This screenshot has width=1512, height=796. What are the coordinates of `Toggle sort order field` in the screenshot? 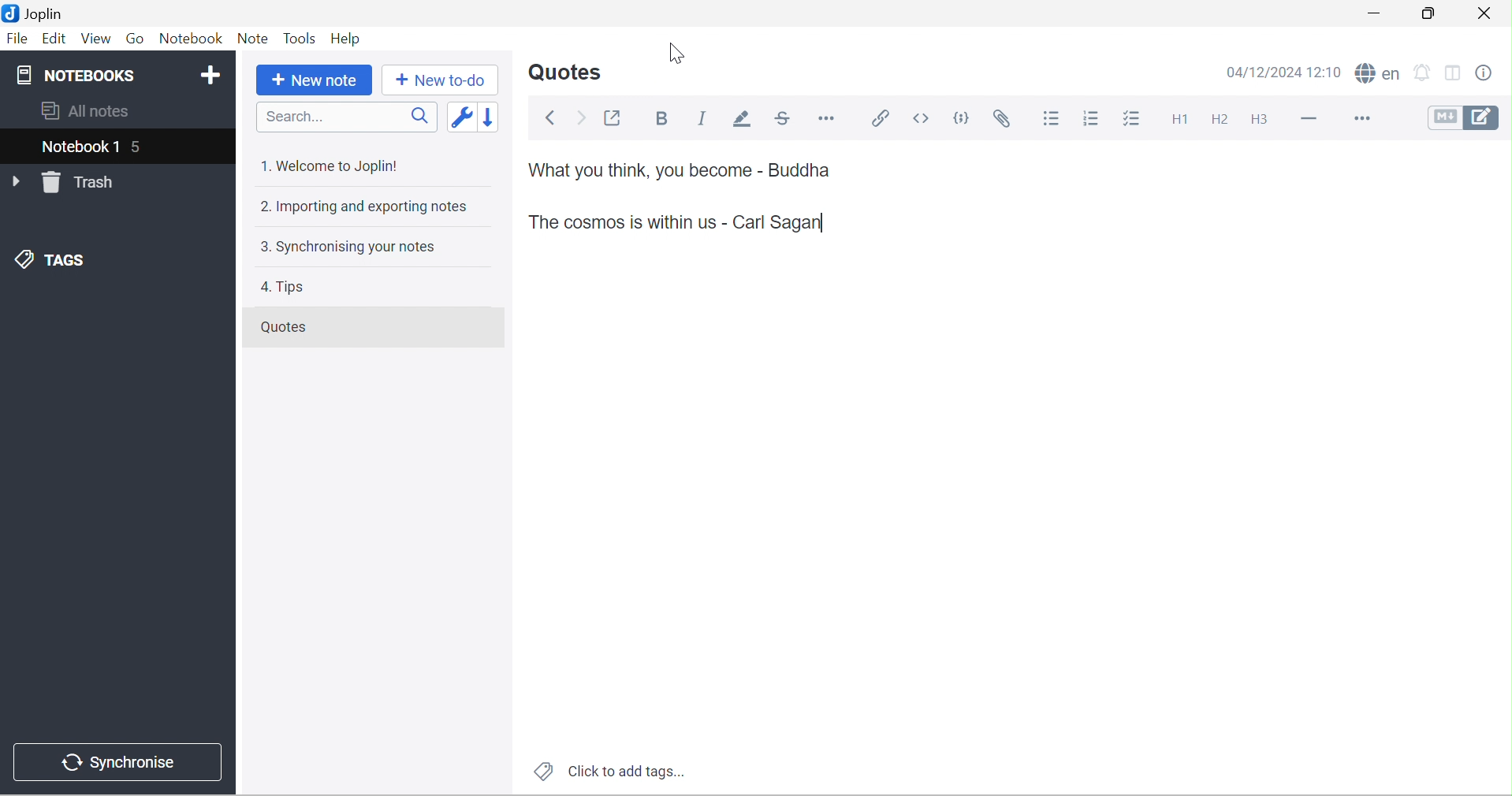 It's located at (464, 115).